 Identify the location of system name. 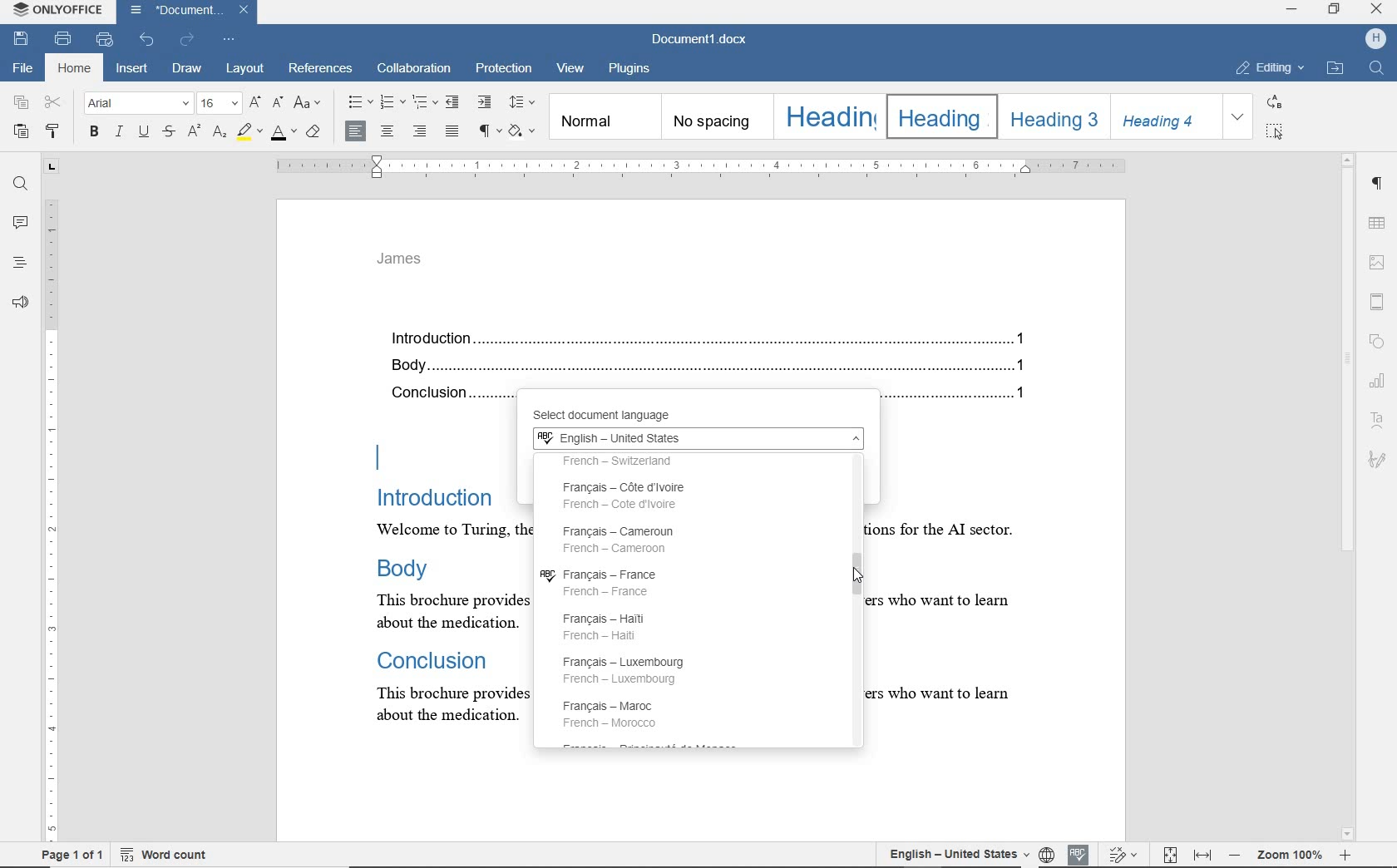
(58, 12).